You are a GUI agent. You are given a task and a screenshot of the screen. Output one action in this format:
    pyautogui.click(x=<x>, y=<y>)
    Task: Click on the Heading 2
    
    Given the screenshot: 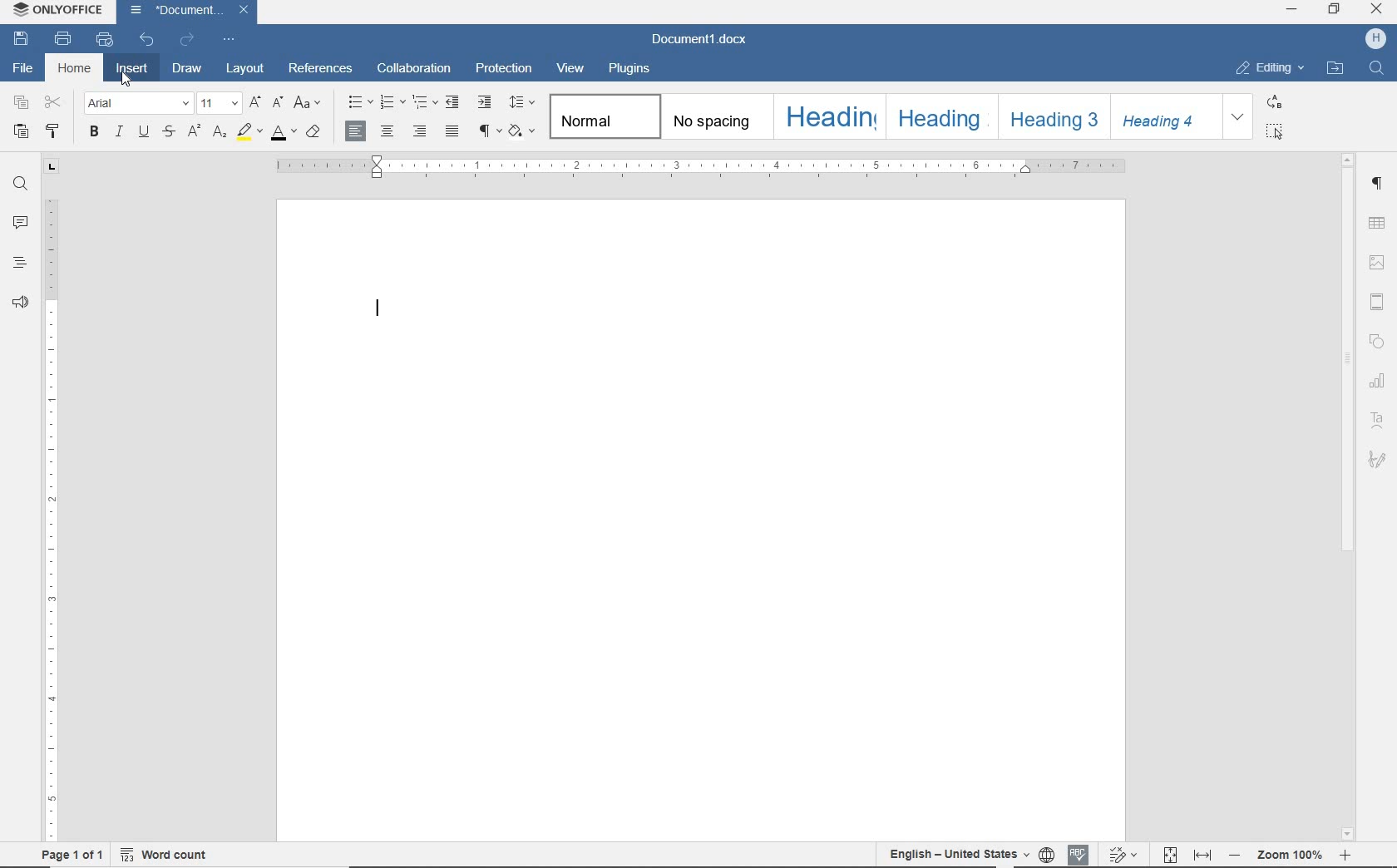 What is the action you would take?
    pyautogui.click(x=941, y=116)
    